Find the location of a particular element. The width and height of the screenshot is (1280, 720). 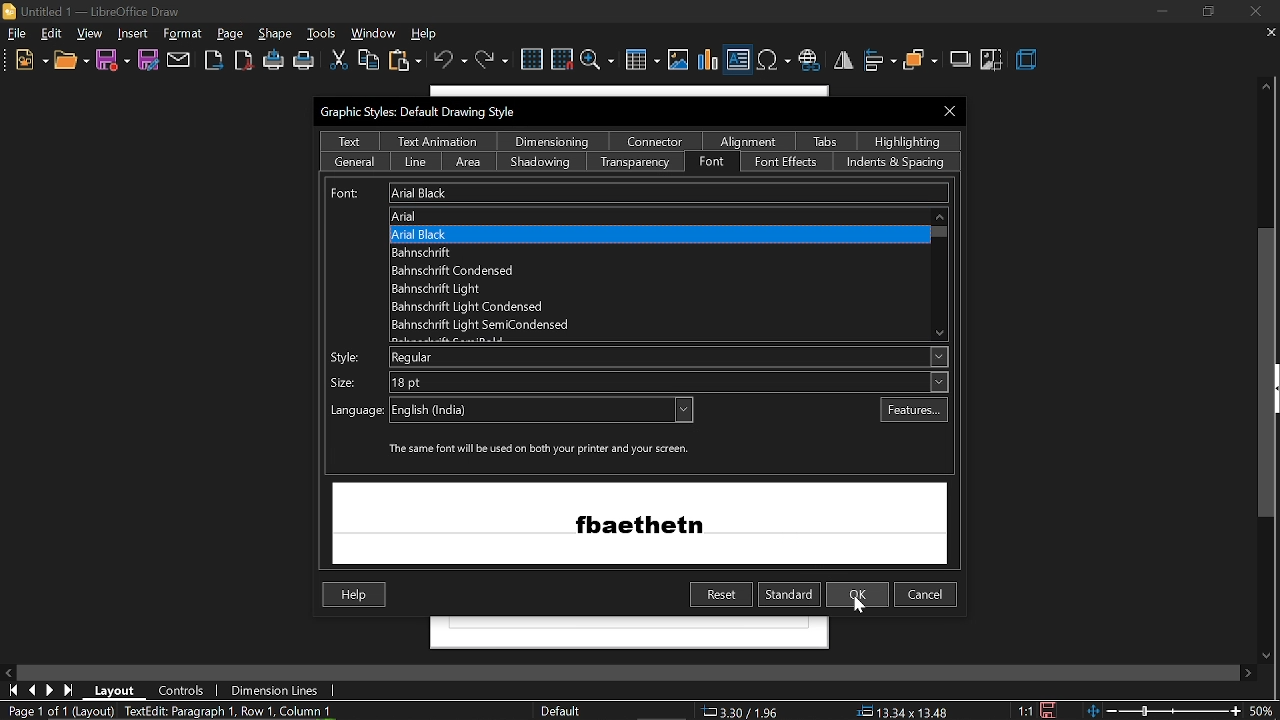

connector is located at coordinates (654, 141).